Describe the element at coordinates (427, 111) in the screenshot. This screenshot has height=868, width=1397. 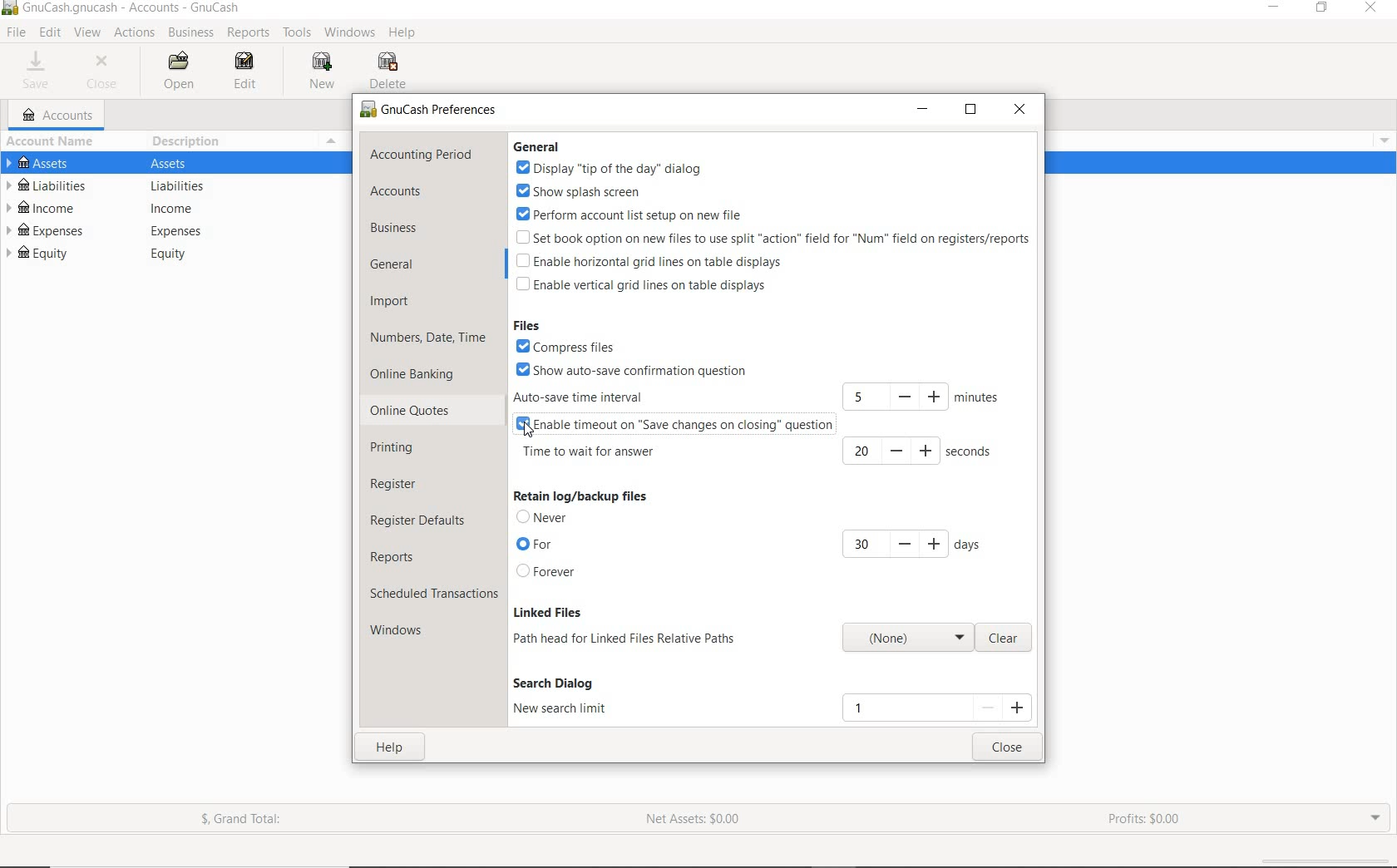
I see `PREFERENCES` at that location.